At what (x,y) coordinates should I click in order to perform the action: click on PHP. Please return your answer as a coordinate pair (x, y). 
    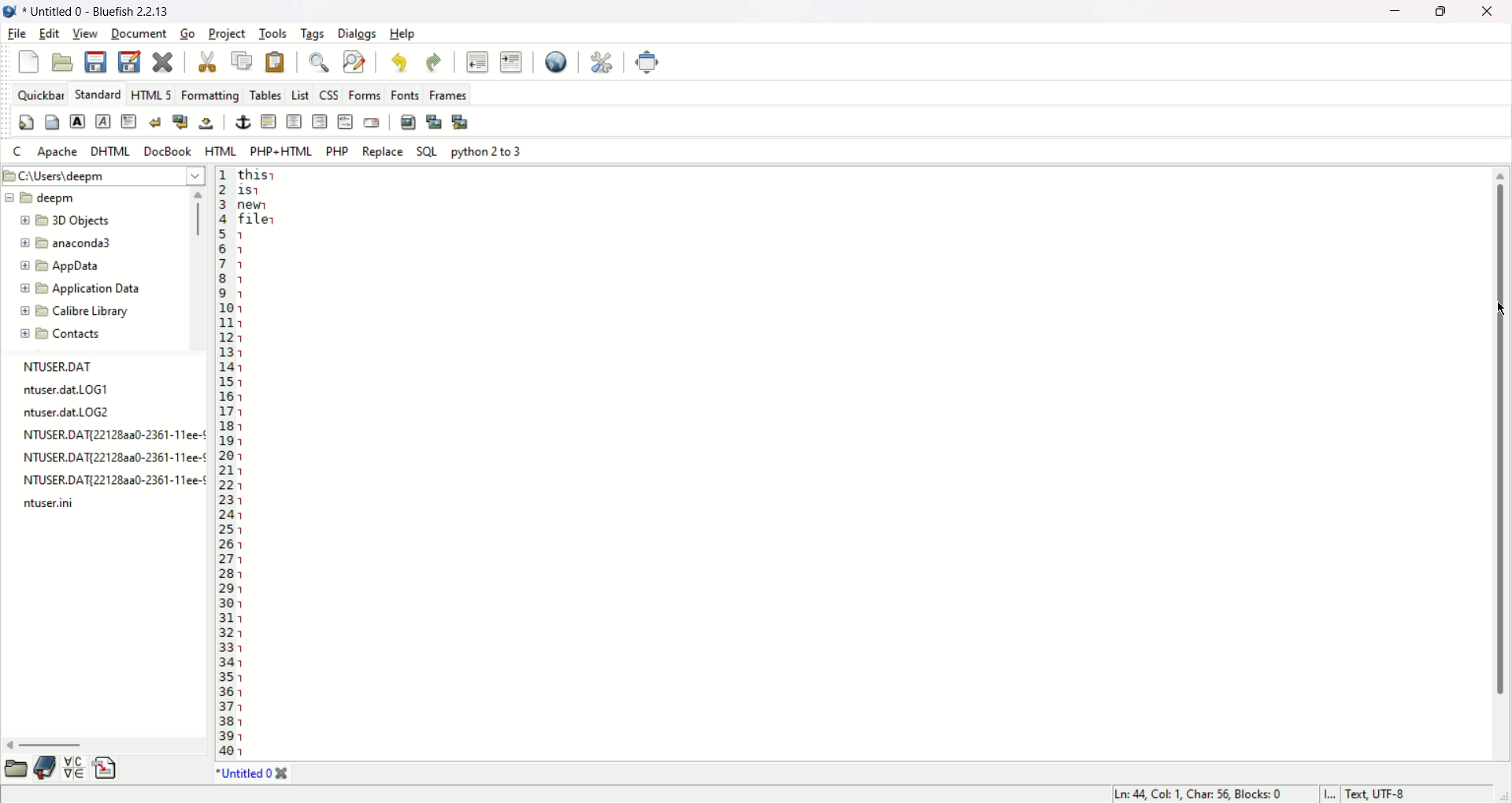
    Looking at the image, I should click on (340, 150).